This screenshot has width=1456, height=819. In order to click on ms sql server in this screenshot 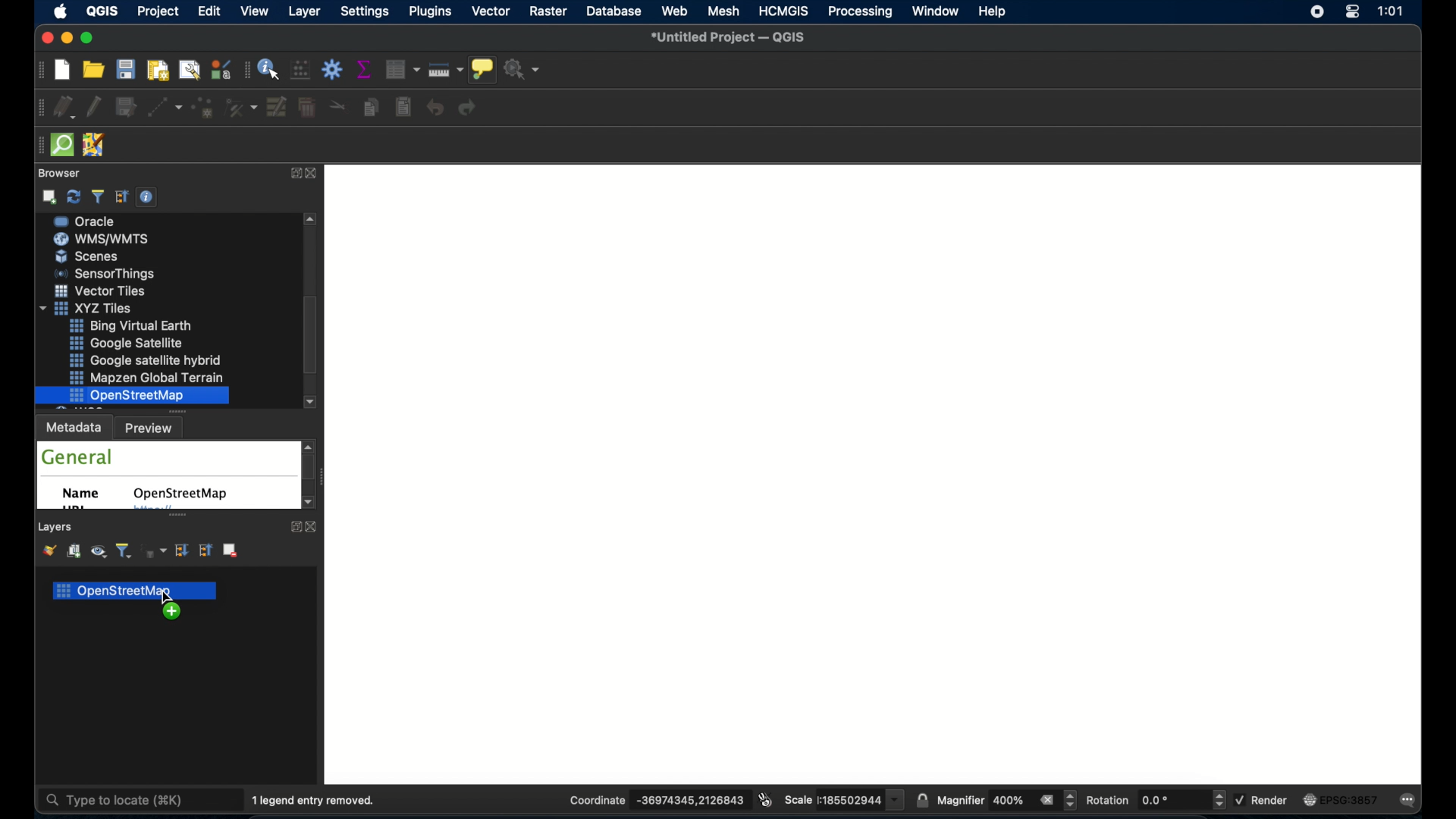, I will do `click(111, 256)`.